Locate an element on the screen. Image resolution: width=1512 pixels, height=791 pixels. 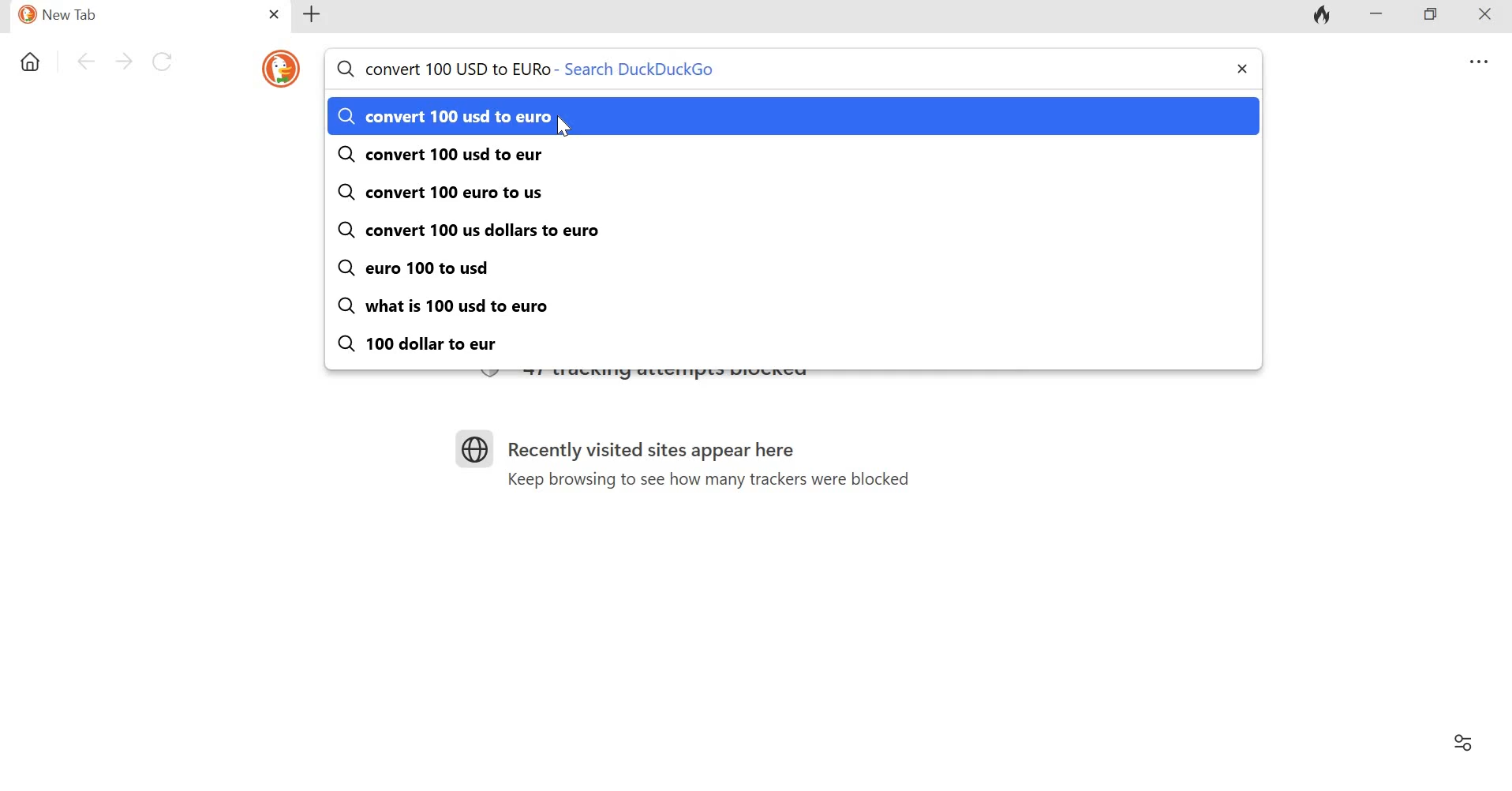
Cursor is located at coordinates (567, 127).